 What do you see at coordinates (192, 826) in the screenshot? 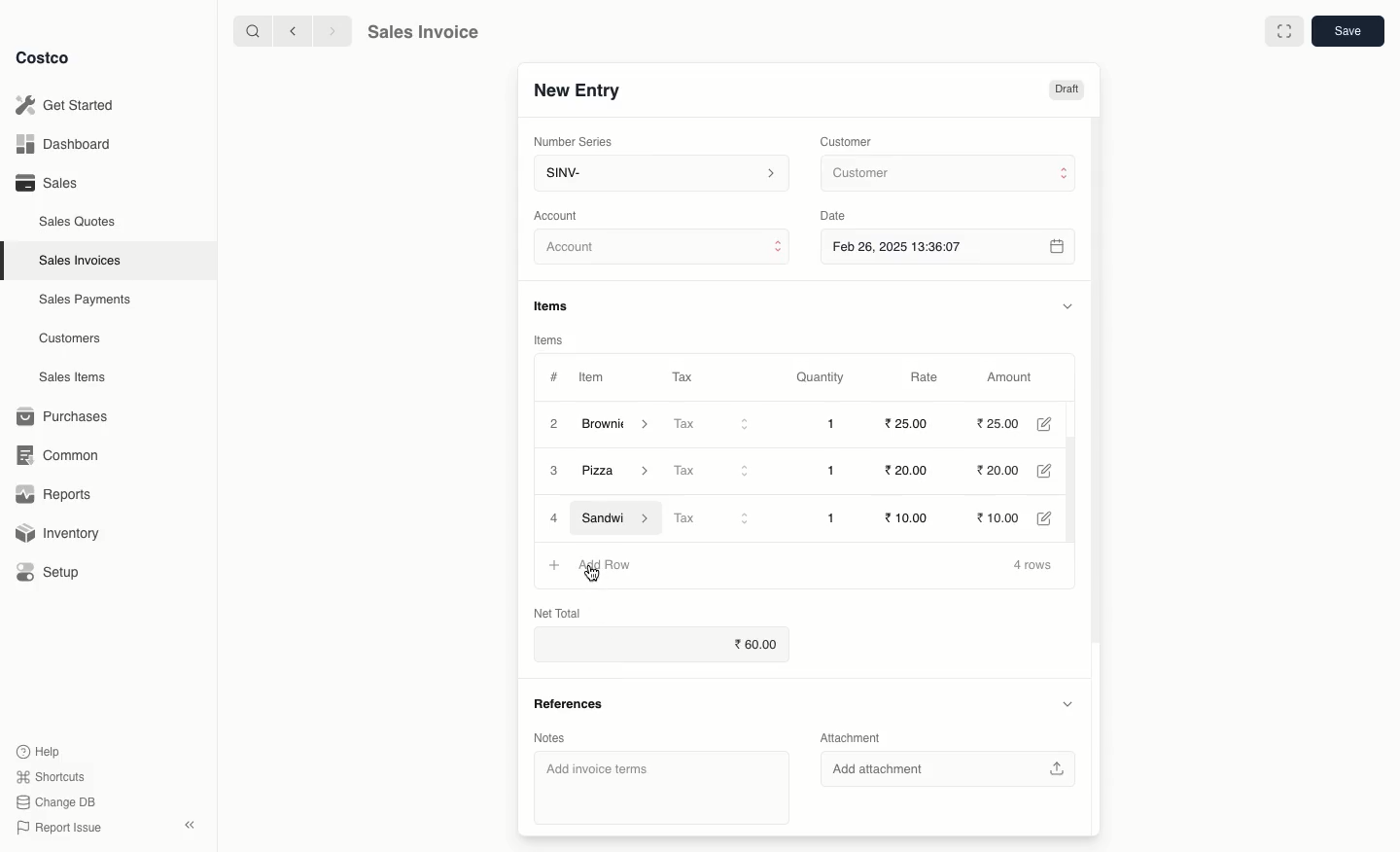
I see `Collapse` at bounding box center [192, 826].